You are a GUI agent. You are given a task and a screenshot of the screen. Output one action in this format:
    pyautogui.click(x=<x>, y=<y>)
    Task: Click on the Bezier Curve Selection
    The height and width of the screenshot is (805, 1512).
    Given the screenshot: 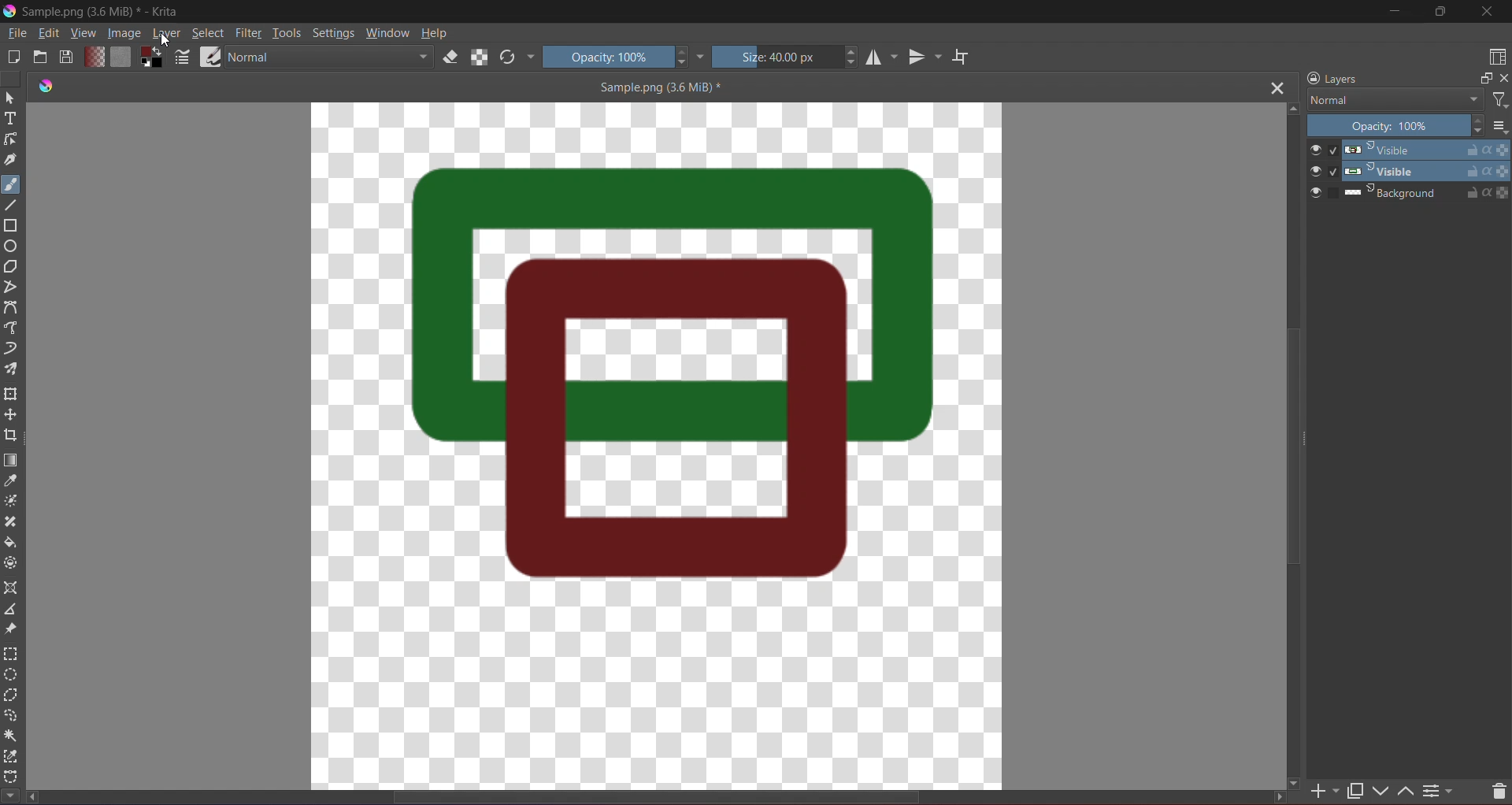 What is the action you would take?
    pyautogui.click(x=12, y=774)
    